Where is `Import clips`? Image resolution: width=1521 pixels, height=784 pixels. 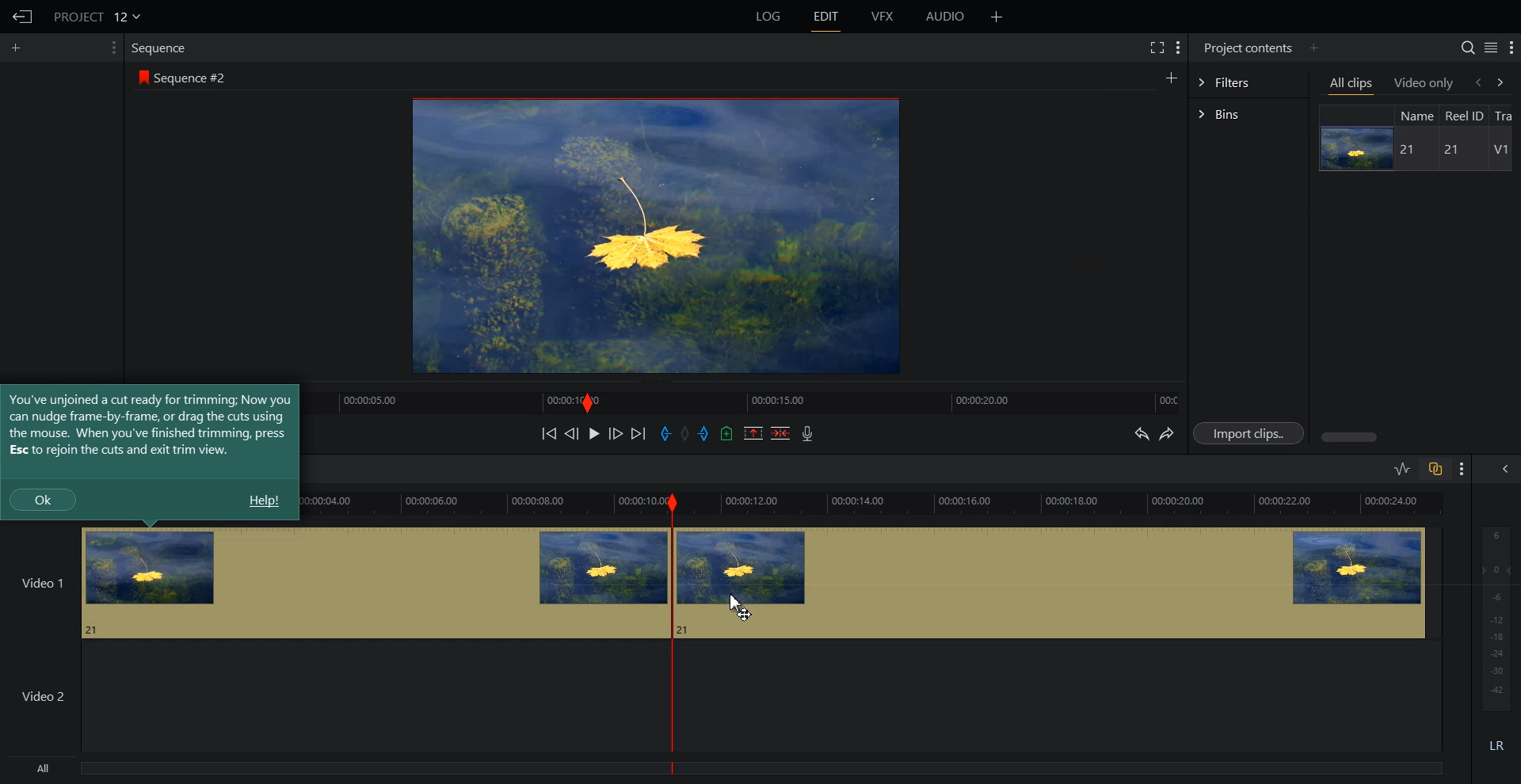
Import clips is located at coordinates (1248, 432).